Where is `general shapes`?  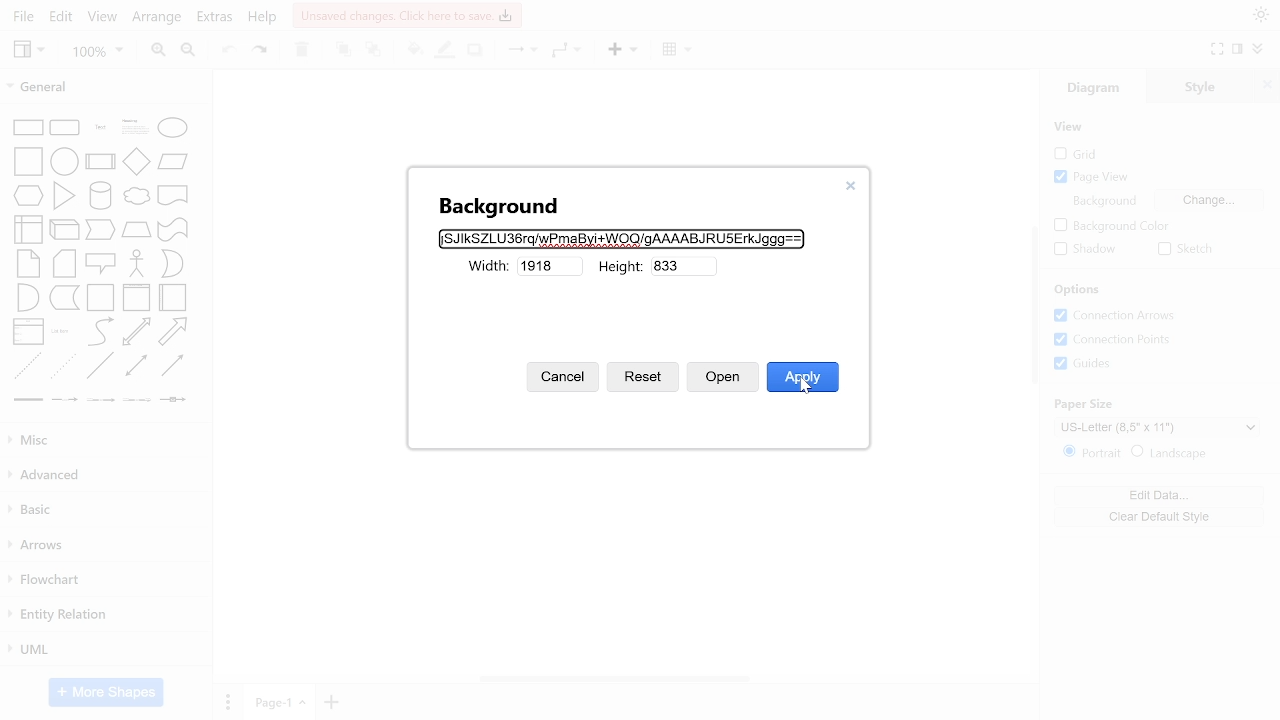
general shapes is located at coordinates (133, 197).